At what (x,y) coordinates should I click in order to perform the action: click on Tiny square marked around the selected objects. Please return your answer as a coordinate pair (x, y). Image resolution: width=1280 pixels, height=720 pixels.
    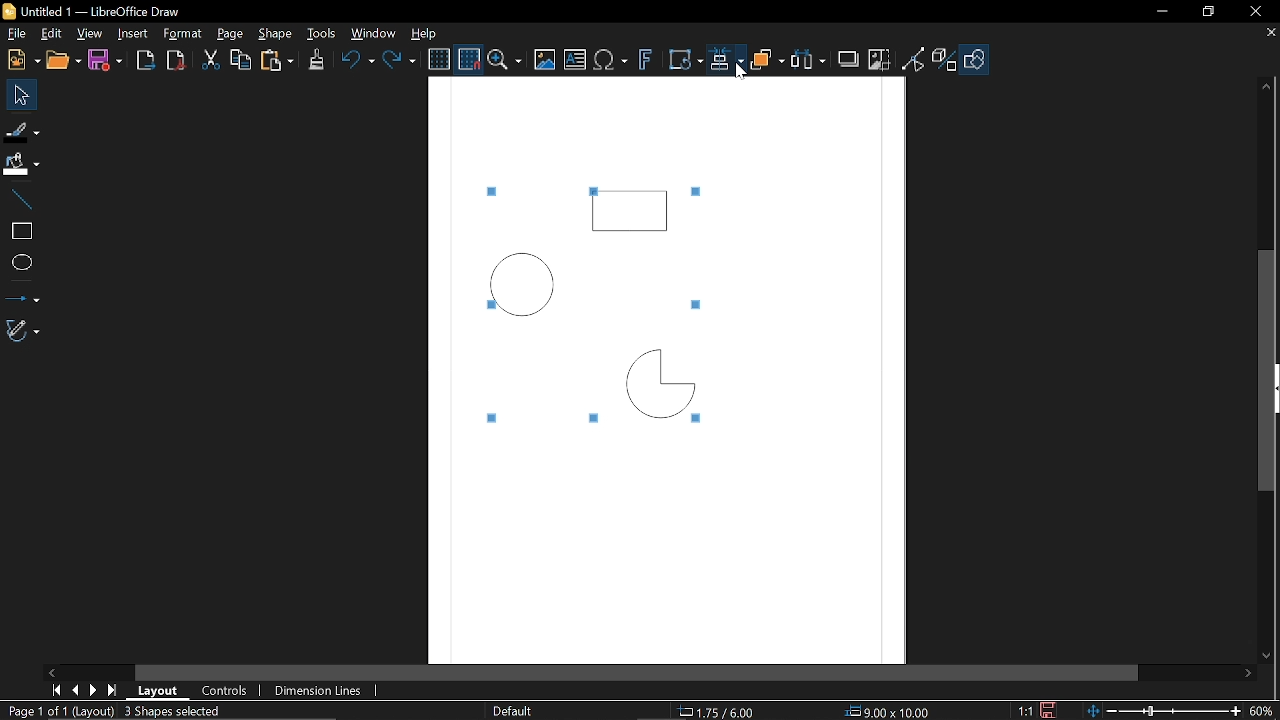
    Looking at the image, I should click on (486, 422).